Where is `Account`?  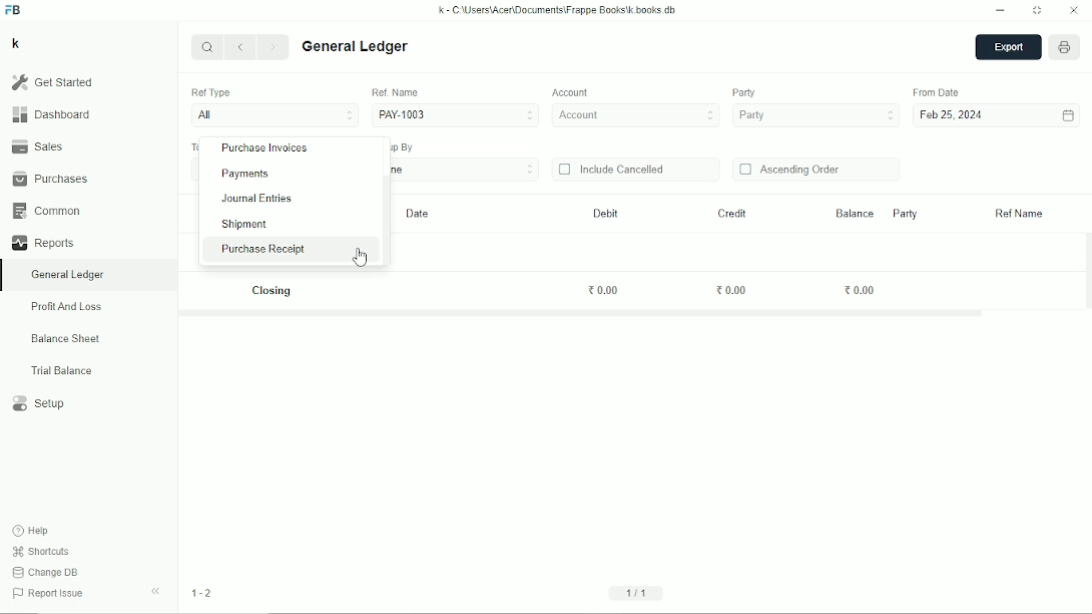 Account is located at coordinates (637, 116).